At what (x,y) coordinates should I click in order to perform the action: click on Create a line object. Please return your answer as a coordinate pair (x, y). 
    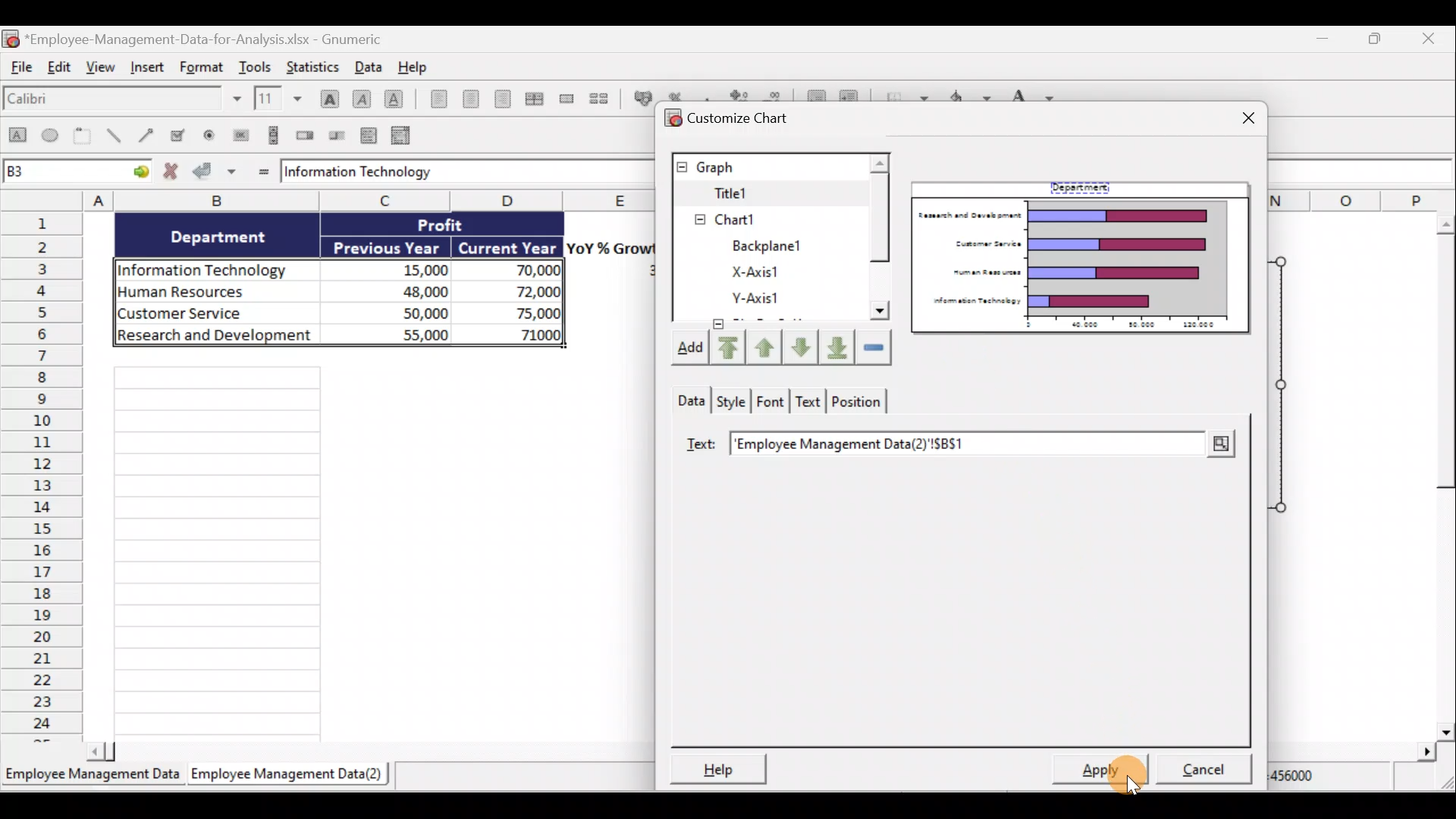
    Looking at the image, I should click on (113, 137).